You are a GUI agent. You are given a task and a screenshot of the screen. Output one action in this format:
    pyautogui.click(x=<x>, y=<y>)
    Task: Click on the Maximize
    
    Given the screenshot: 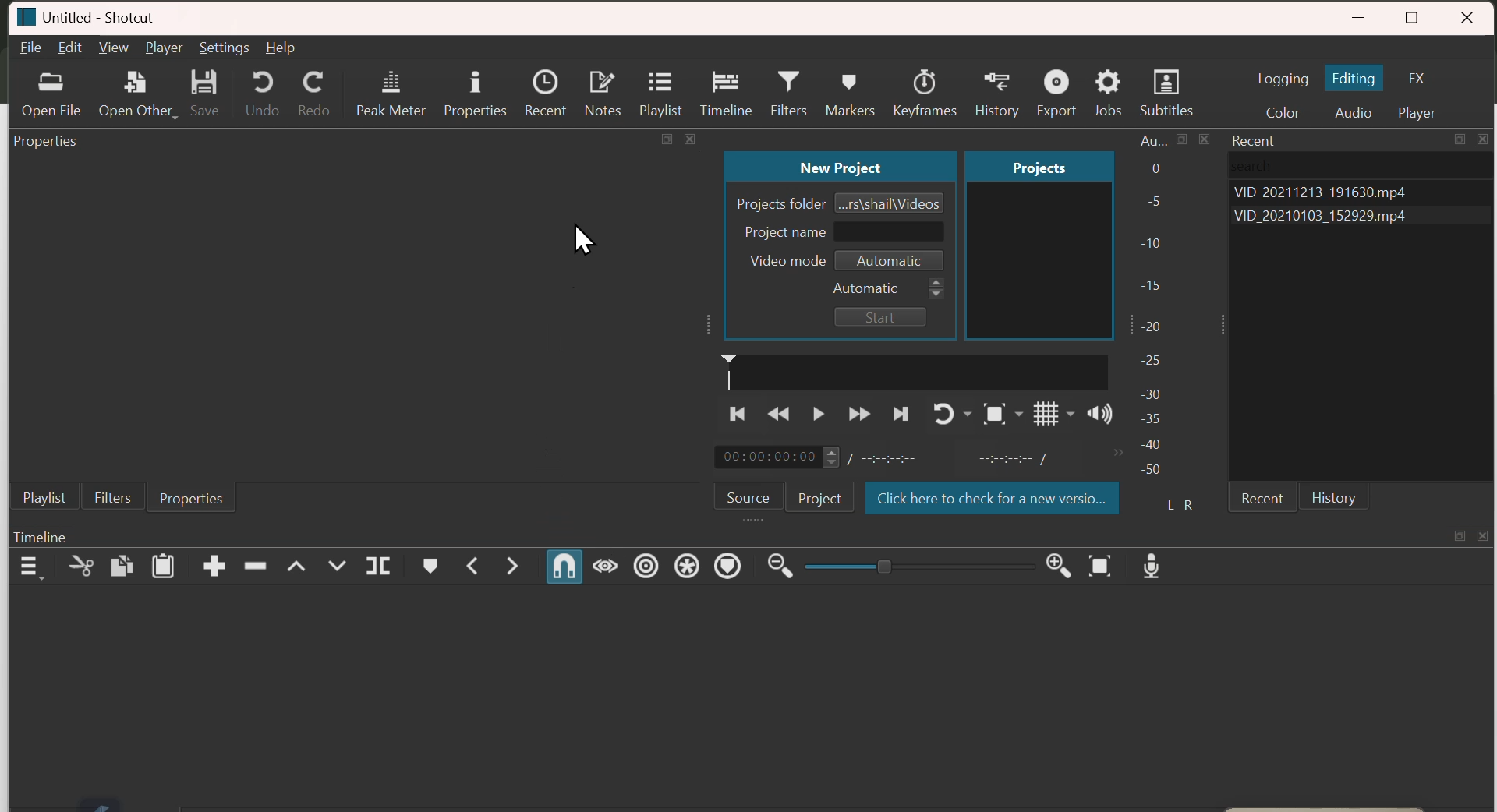 What is the action you would take?
    pyautogui.click(x=1183, y=139)
    